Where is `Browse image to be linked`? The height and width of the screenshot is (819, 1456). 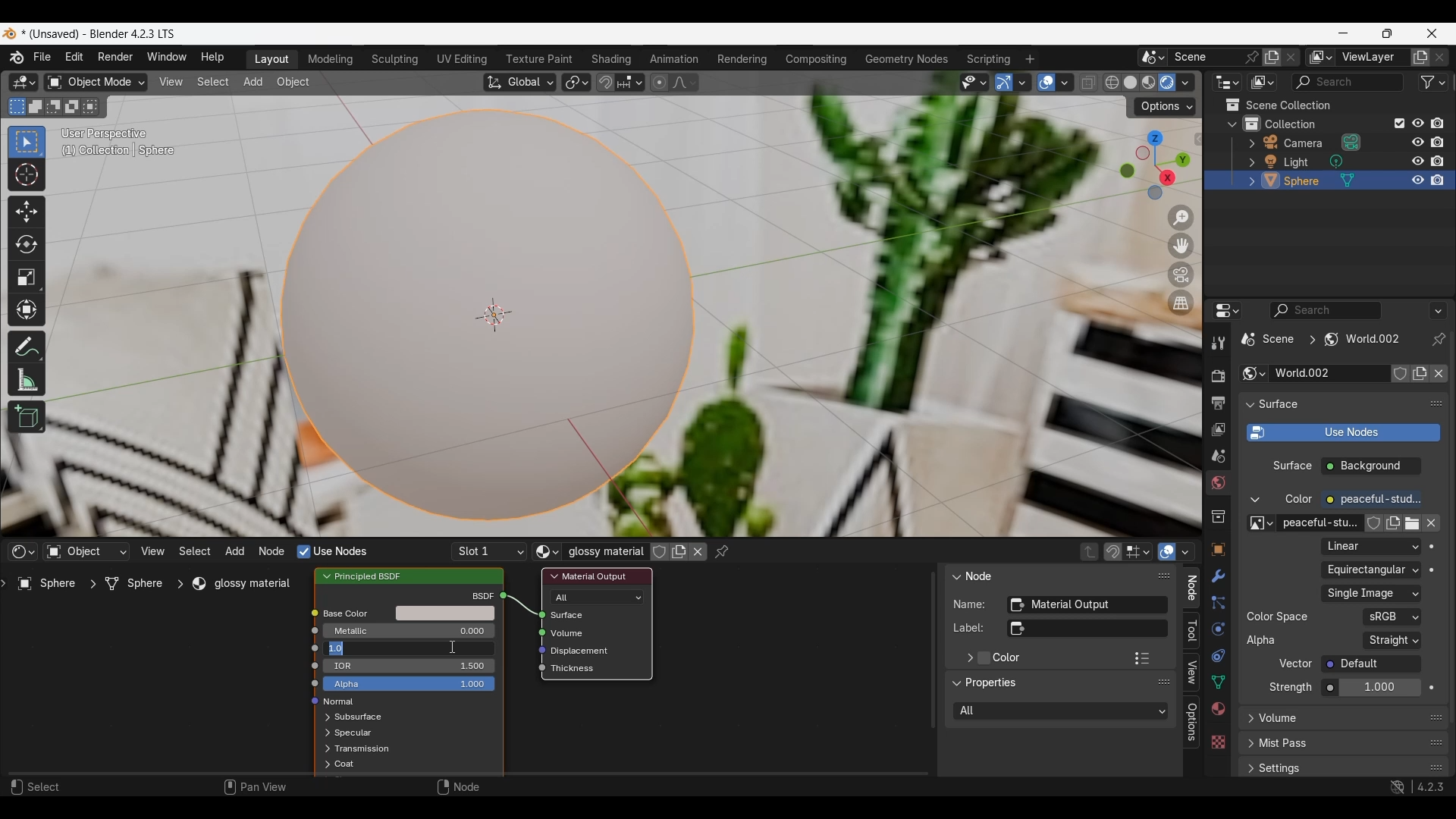
Browse image to be linked is located at coordinates (1262, 523).